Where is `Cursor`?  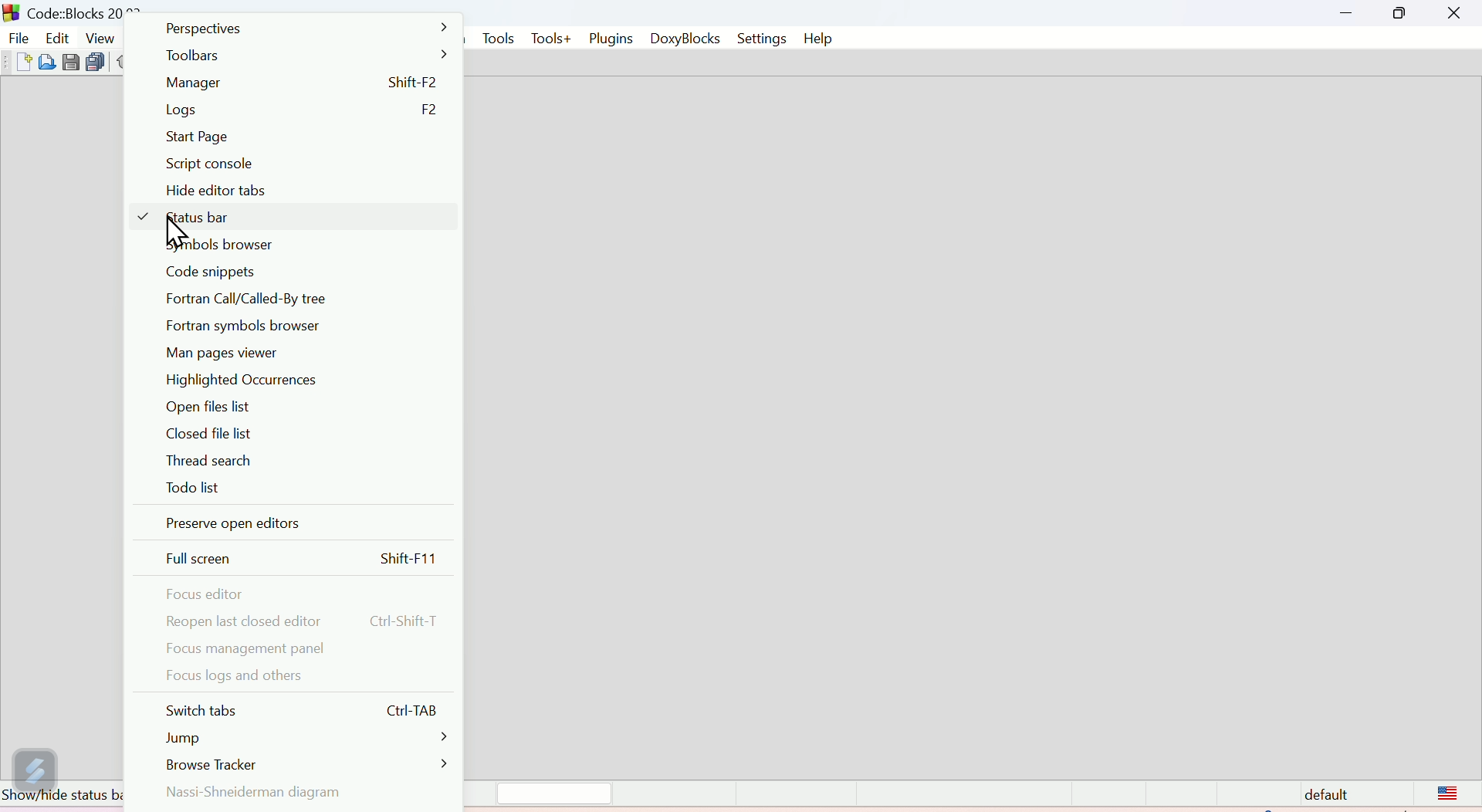
Cursor is located at coordinates (107, 63).